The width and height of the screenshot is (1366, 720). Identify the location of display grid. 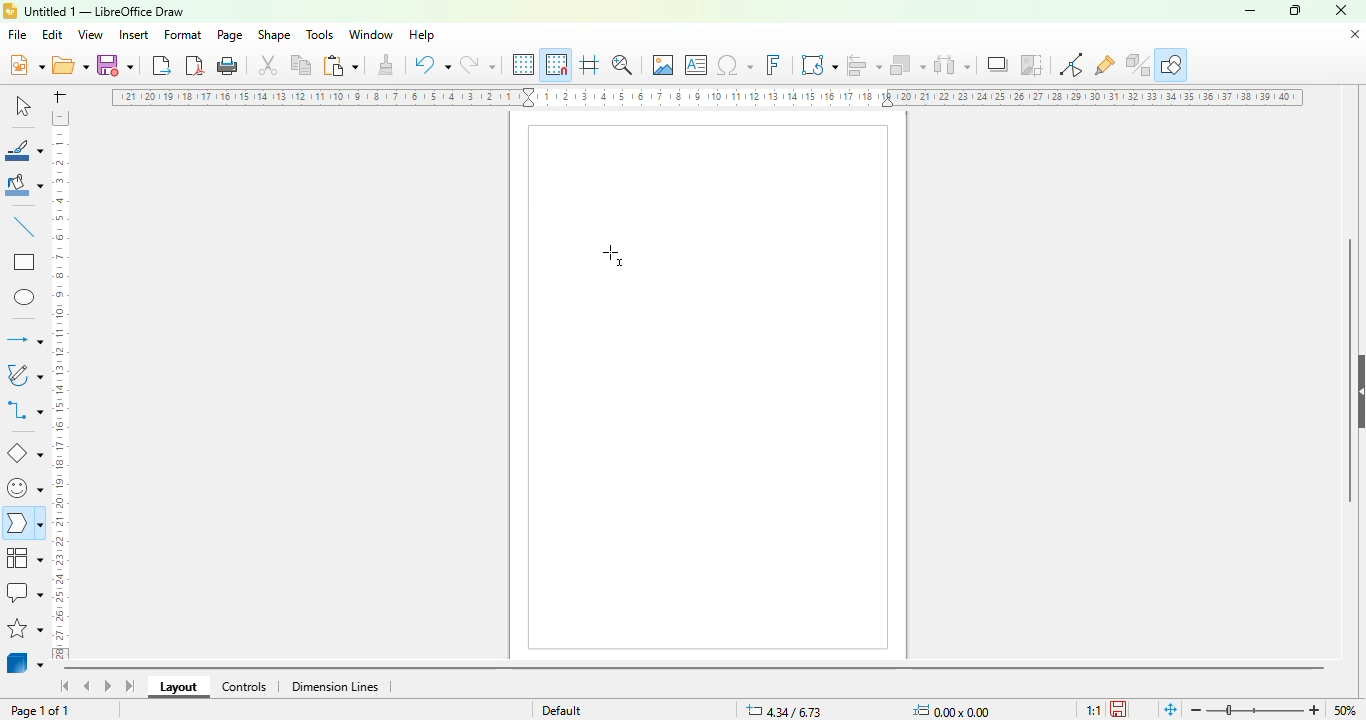
(525, 65).